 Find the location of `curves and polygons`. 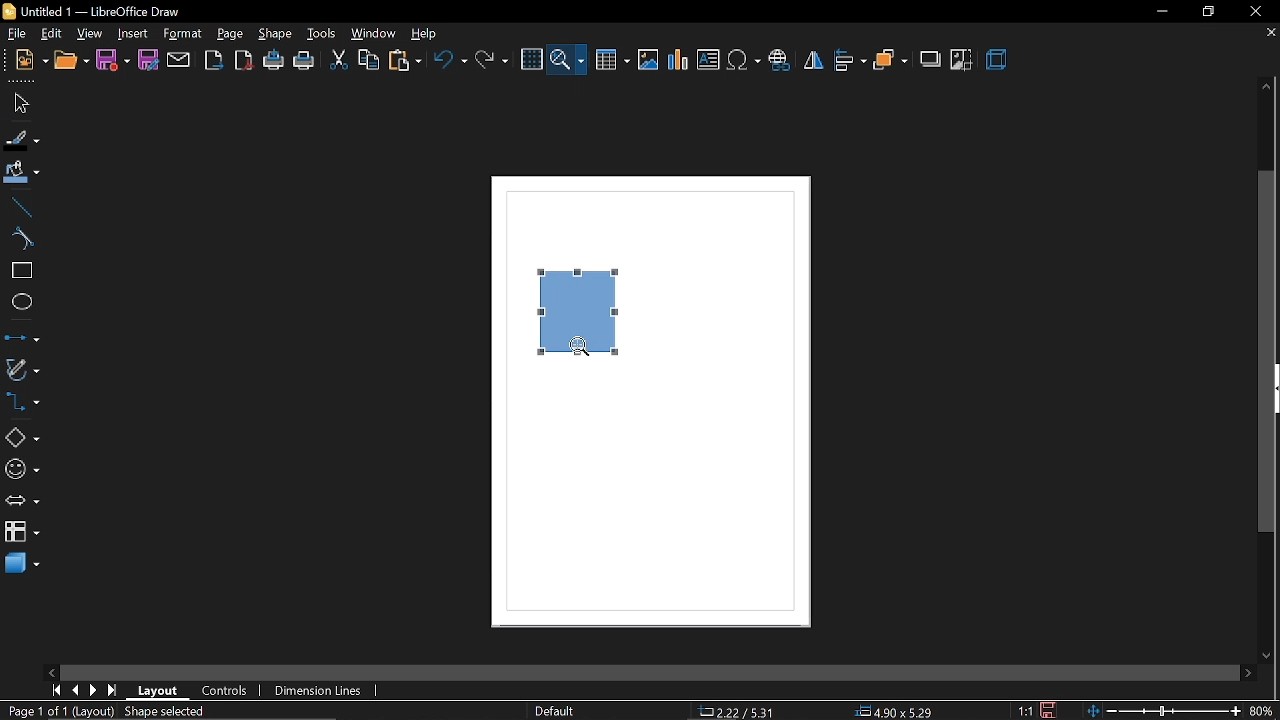

curves and polygons is located at coordinates (21, 368).